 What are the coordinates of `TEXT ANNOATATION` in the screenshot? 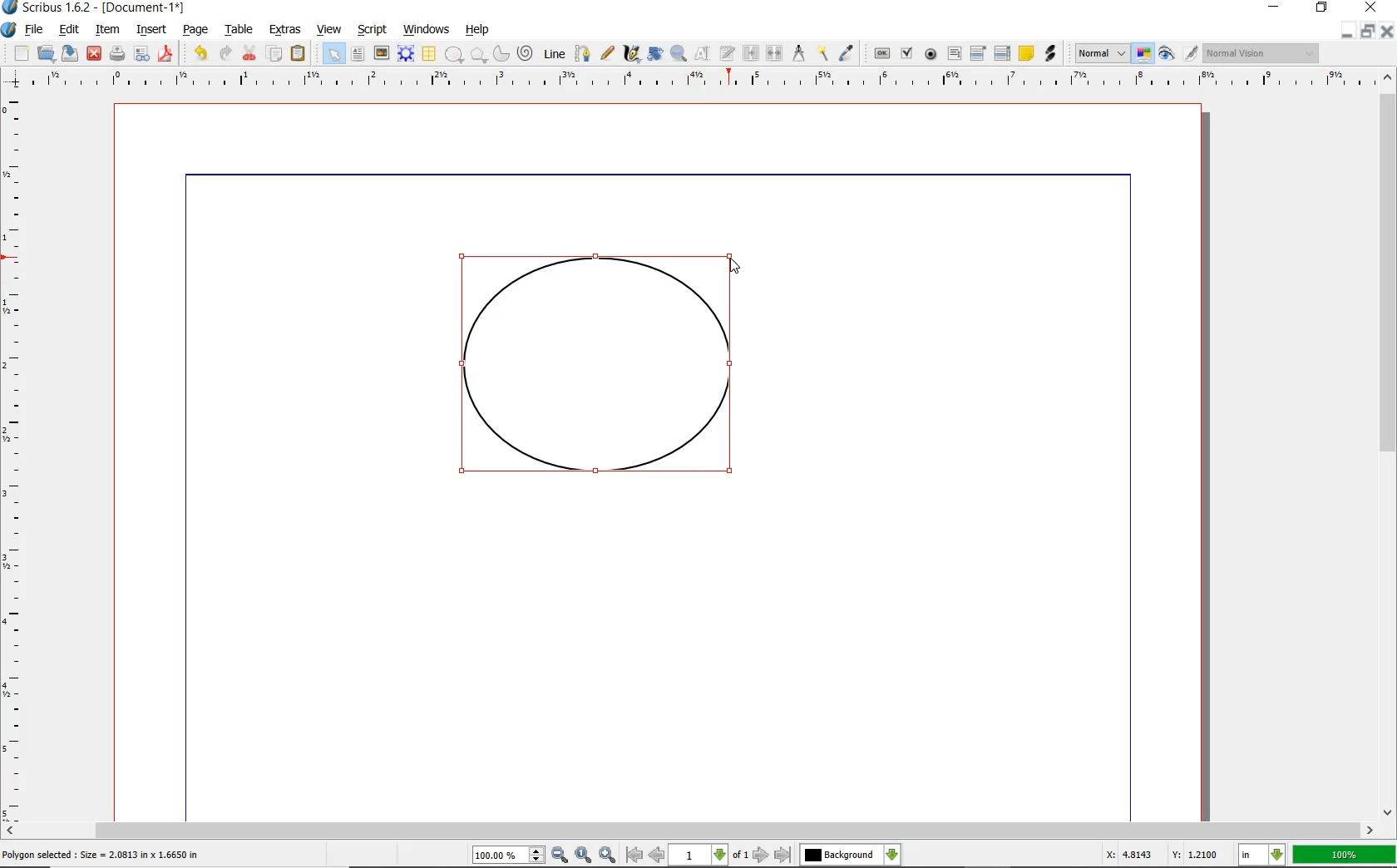 It's located at (1025, 52).